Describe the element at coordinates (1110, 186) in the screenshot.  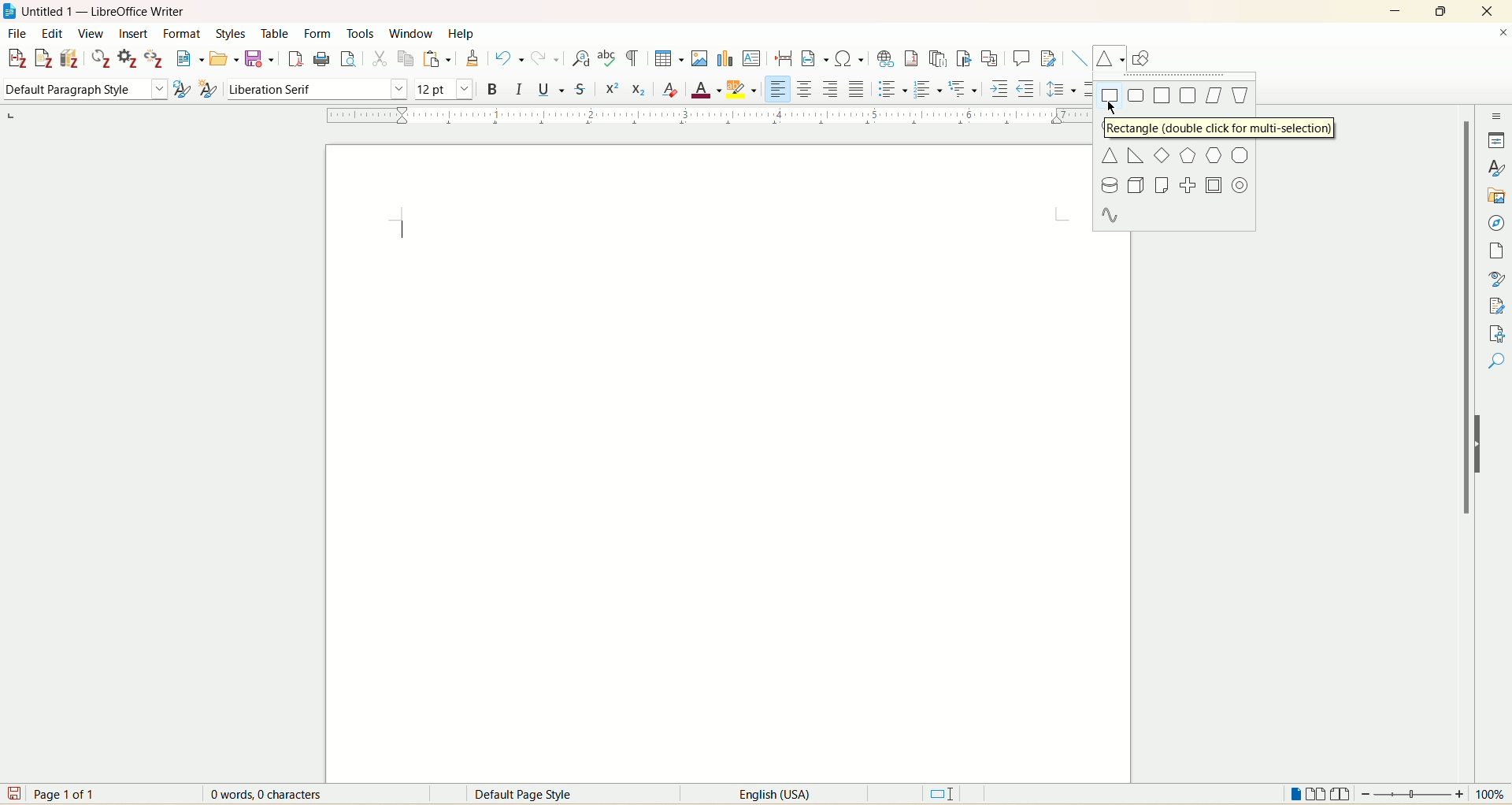
I see `cylinder` at that location.